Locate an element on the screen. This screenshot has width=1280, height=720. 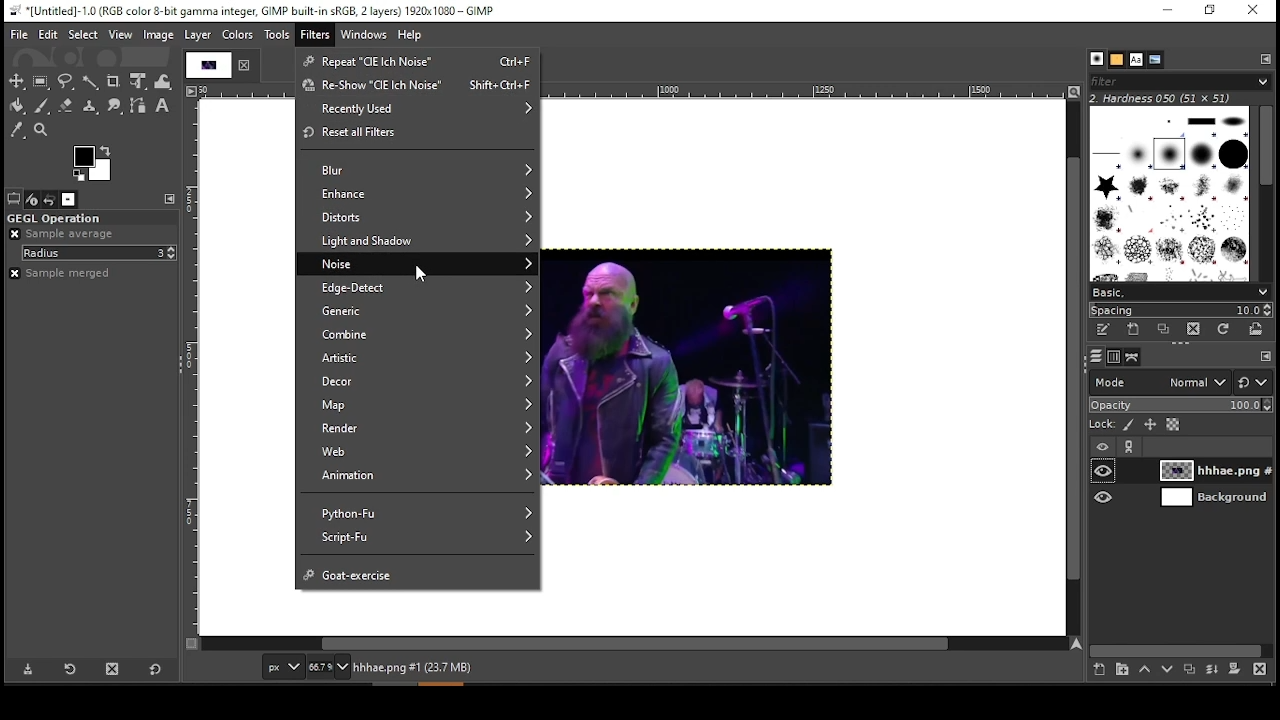
rectangular selection tool is located at coordinates (40, 81).